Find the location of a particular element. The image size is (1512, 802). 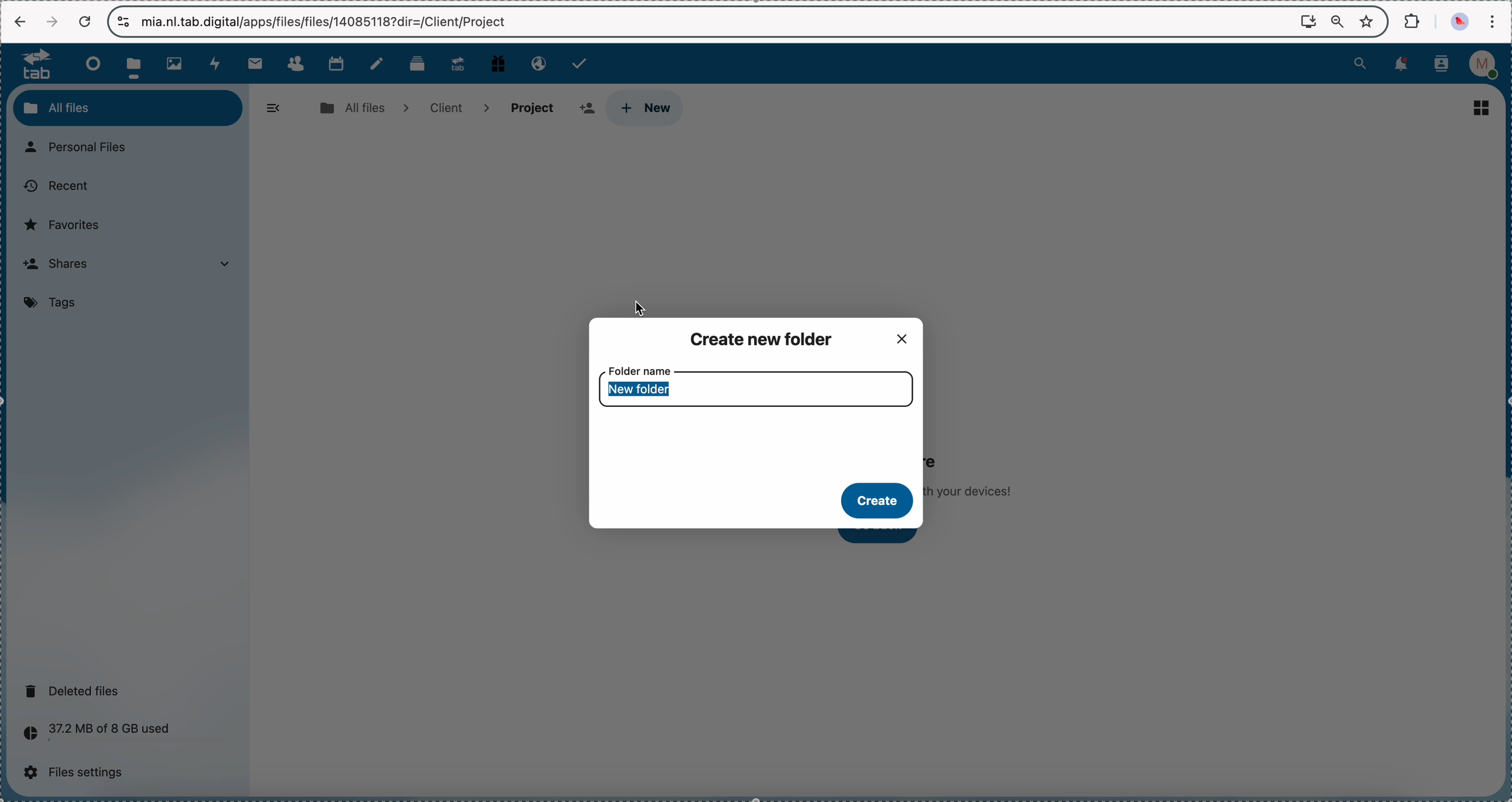

click on new button is located at coordinates (650, 109).